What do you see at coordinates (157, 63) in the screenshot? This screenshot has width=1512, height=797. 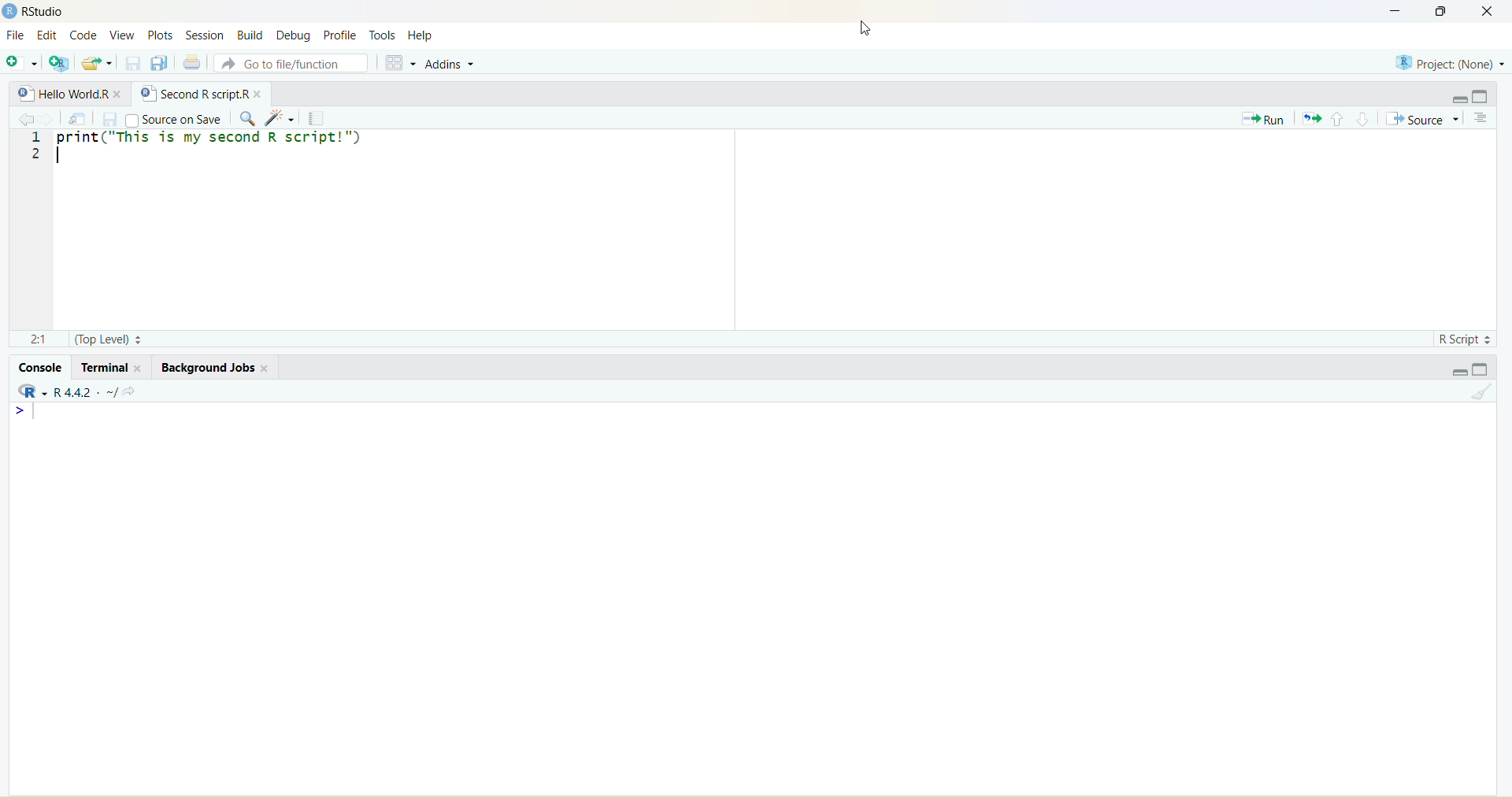 I see `Save all open documents (Ctrl + Alt + S)` at bounding box center [157, 63].